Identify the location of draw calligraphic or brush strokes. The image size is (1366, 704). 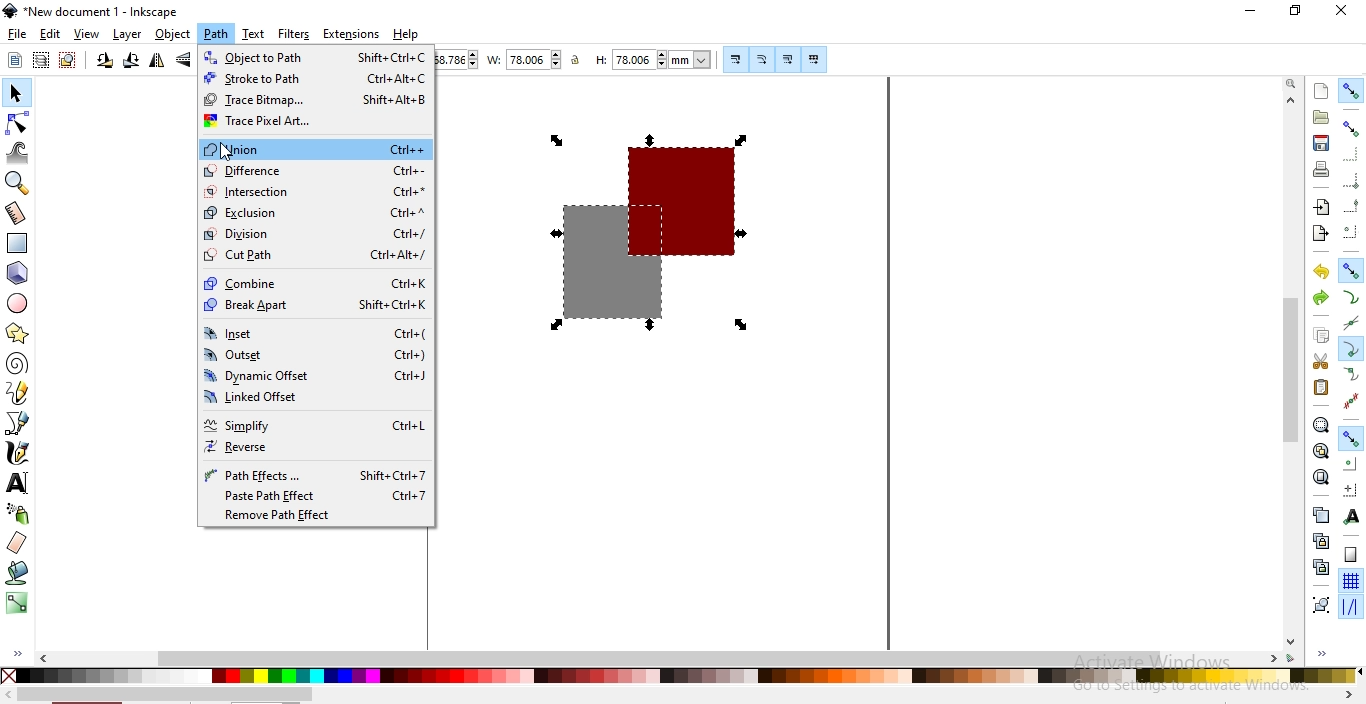
(18, 454).